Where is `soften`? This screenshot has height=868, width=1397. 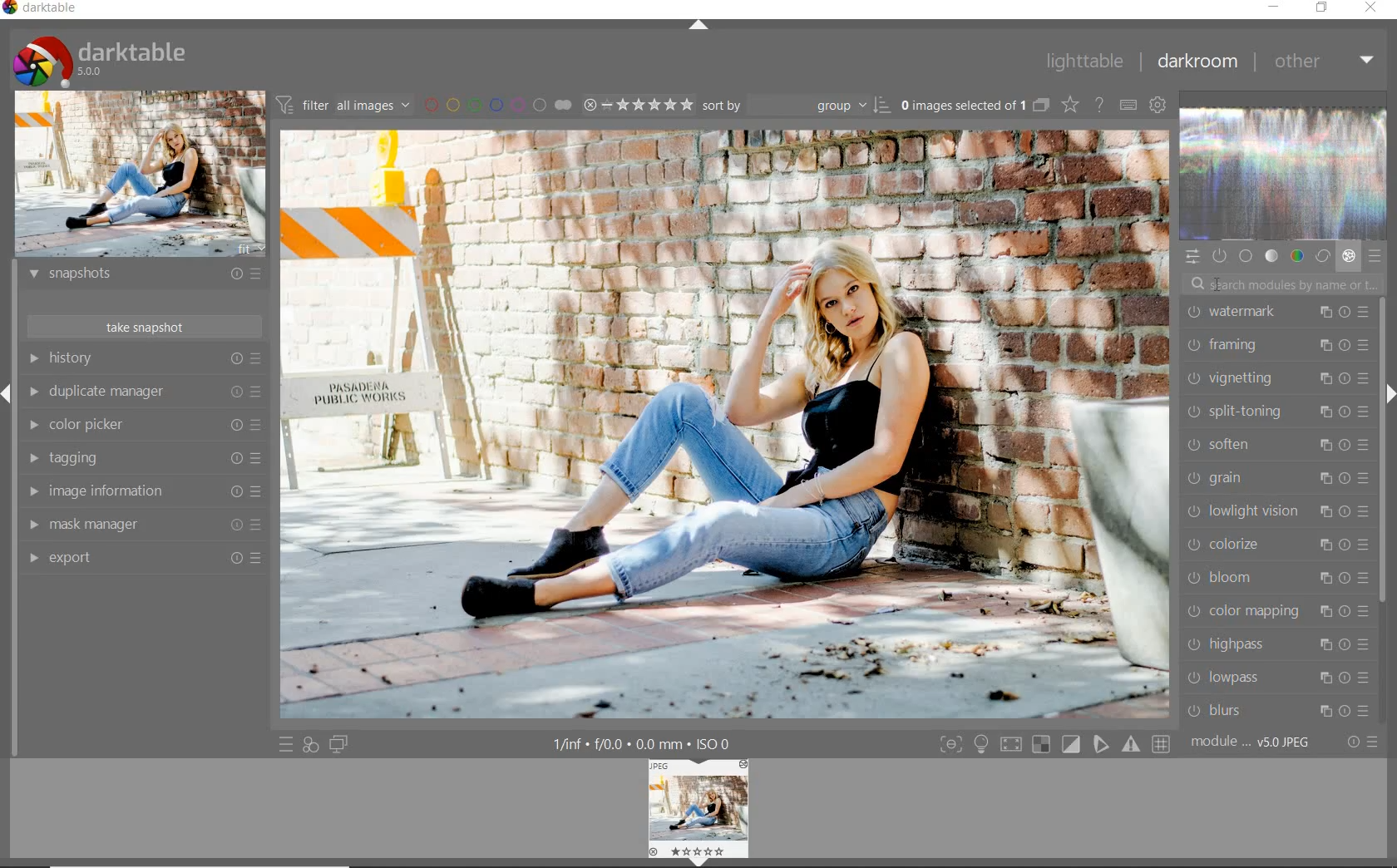
soften is located at coordinates (1276, 446).